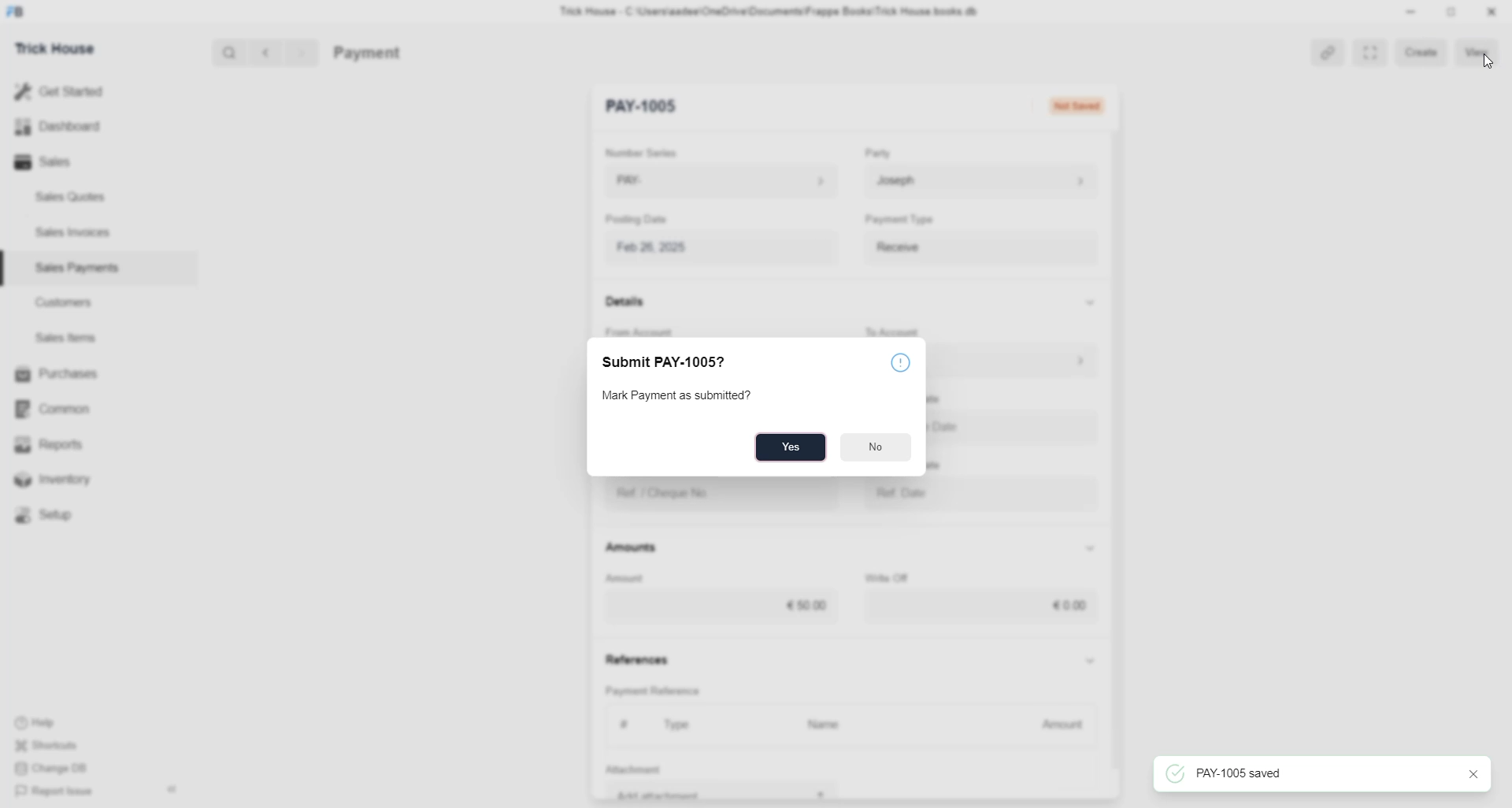 The height and width of the screenshot is (808, 1512). I want to click on Number Series, so click(642, 152).